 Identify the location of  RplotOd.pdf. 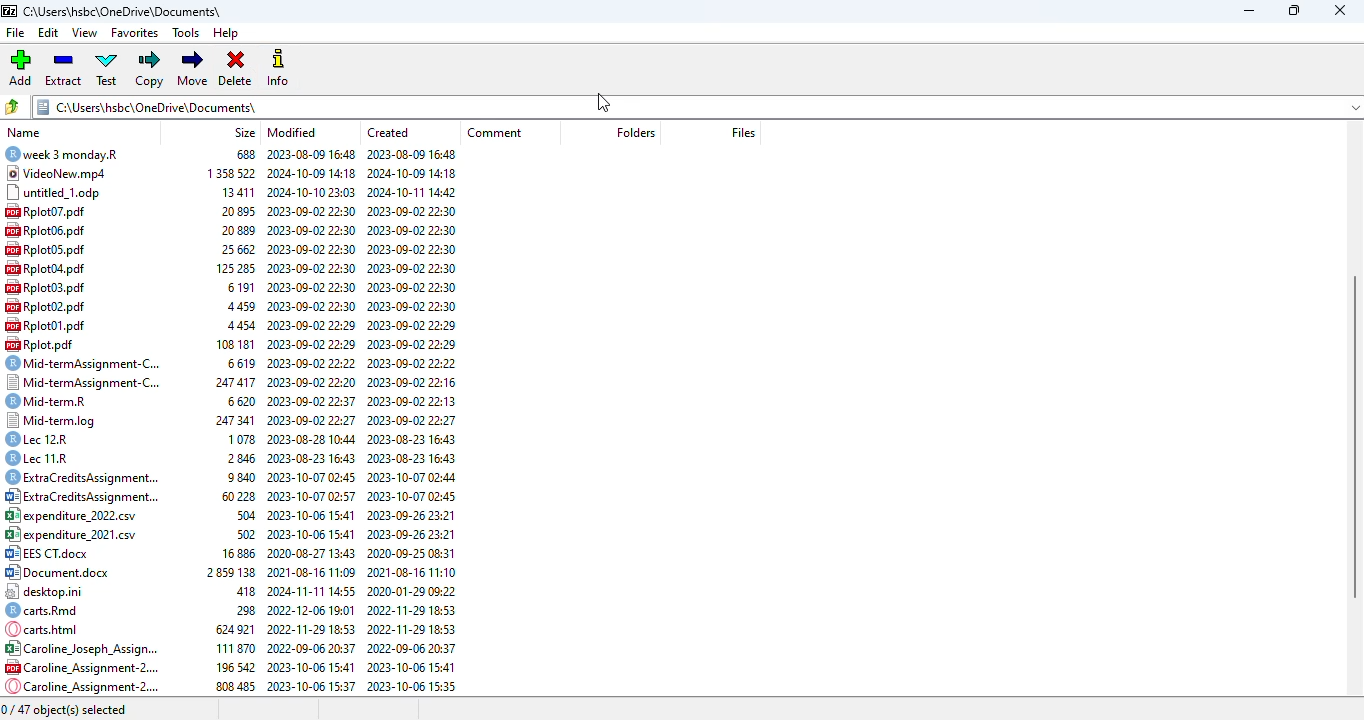
(53, 268).